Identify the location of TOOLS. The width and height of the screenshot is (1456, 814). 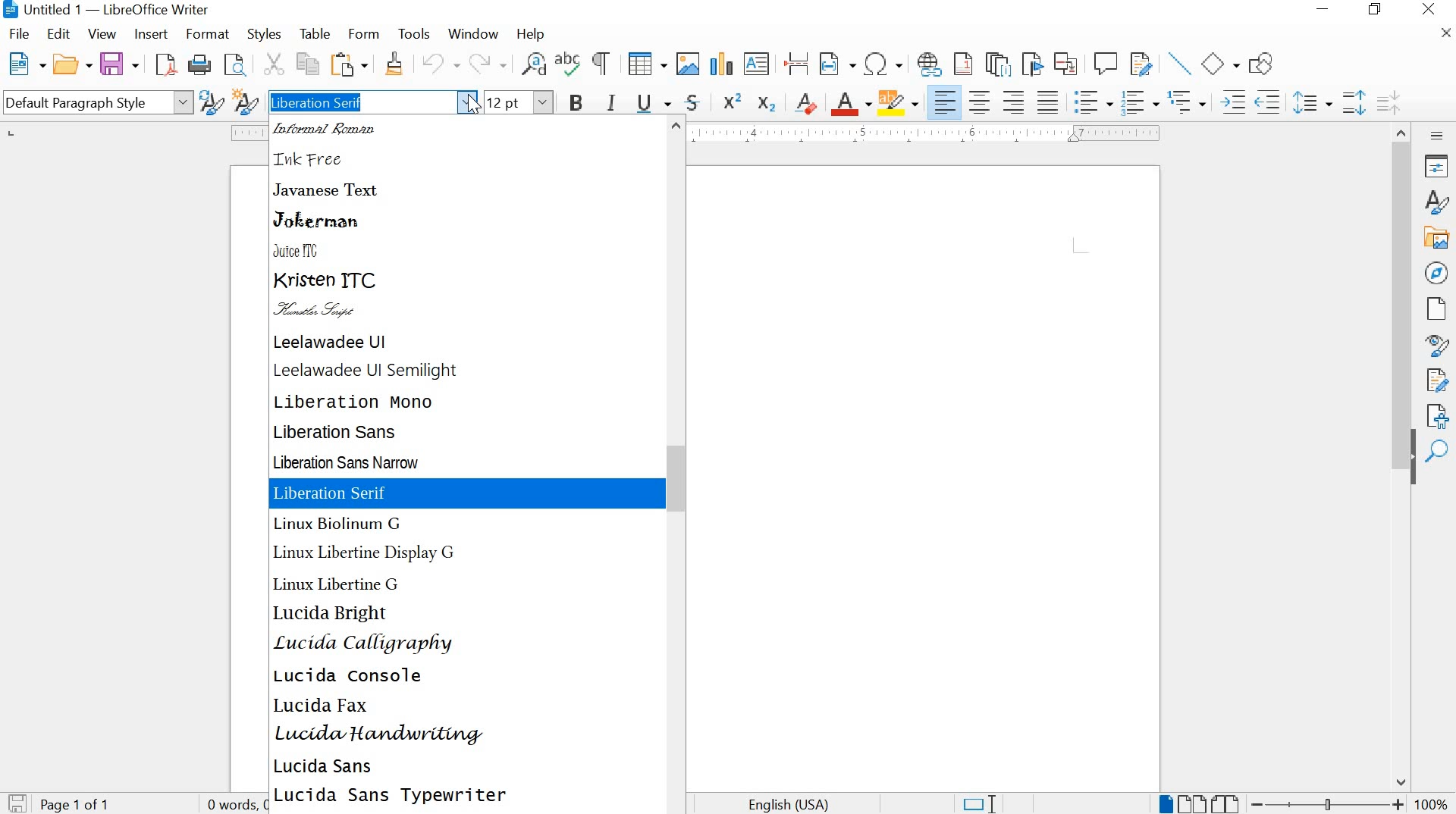
(413, 35).